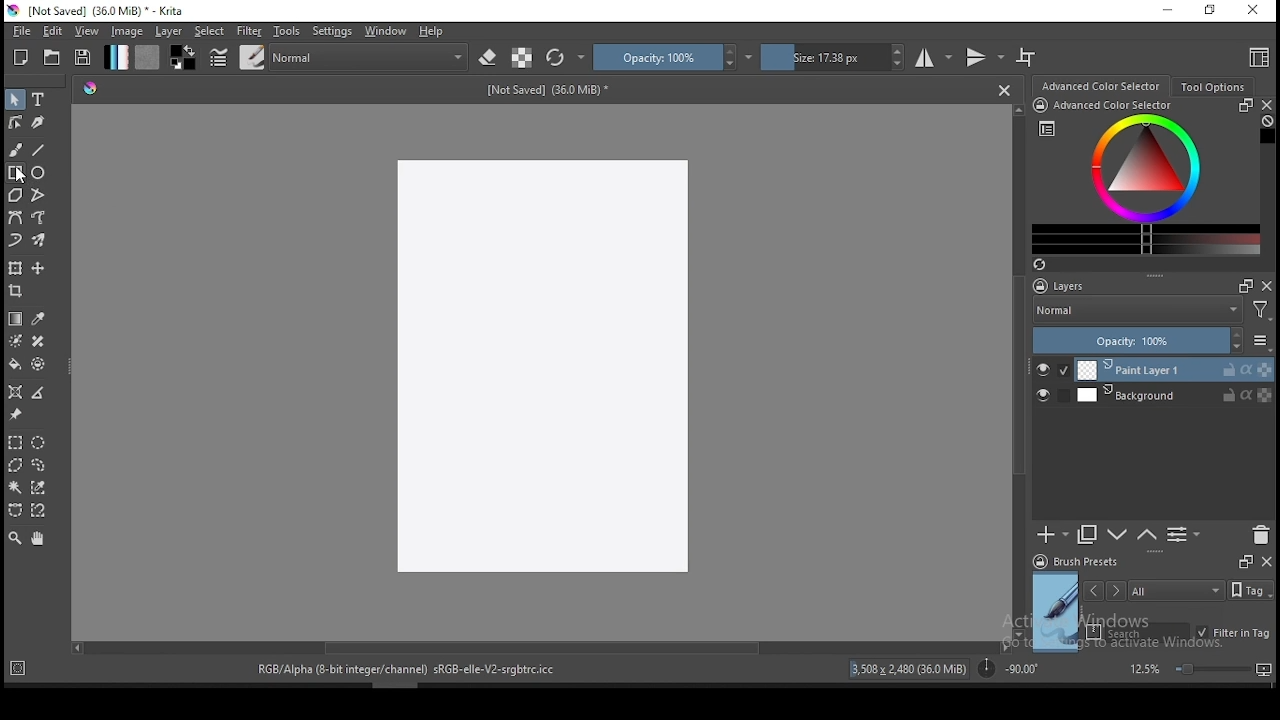  Describe the element at coordinates (17, 149) in the screenshot. I see `brush tool` at that location.